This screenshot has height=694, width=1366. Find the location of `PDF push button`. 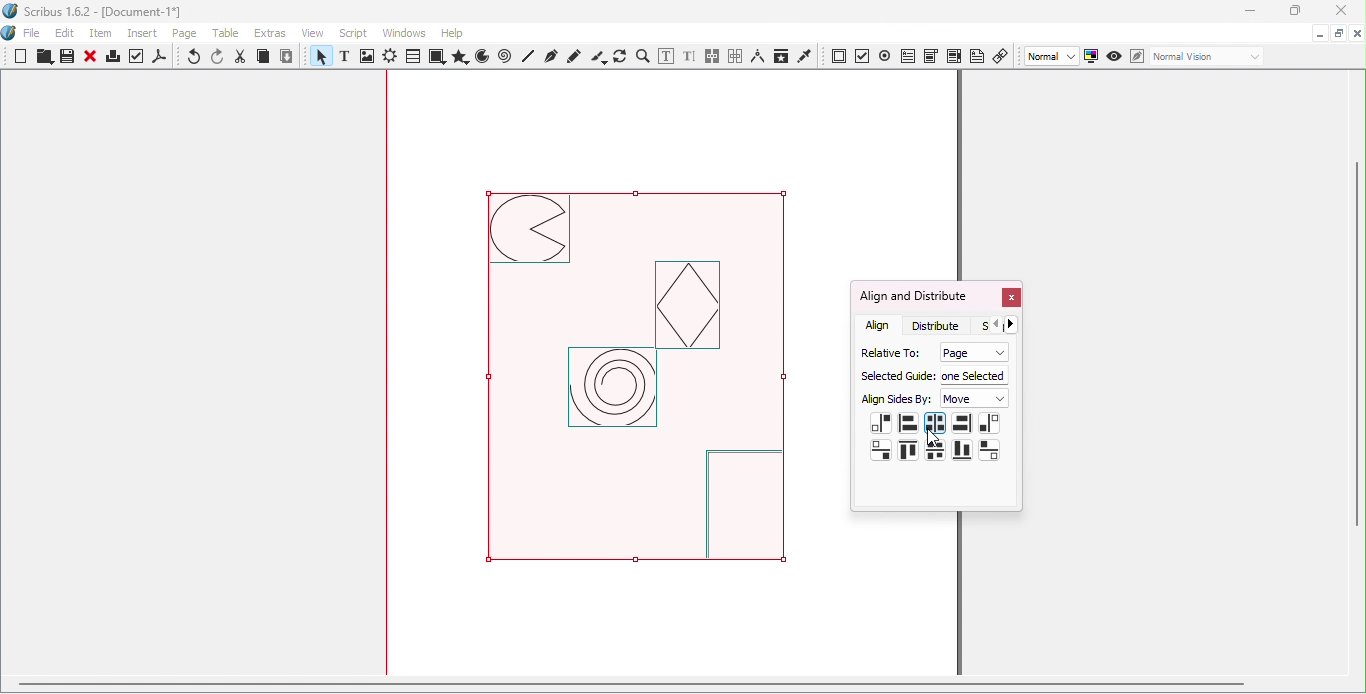

PDF push button is located at coordinates (839, 57).